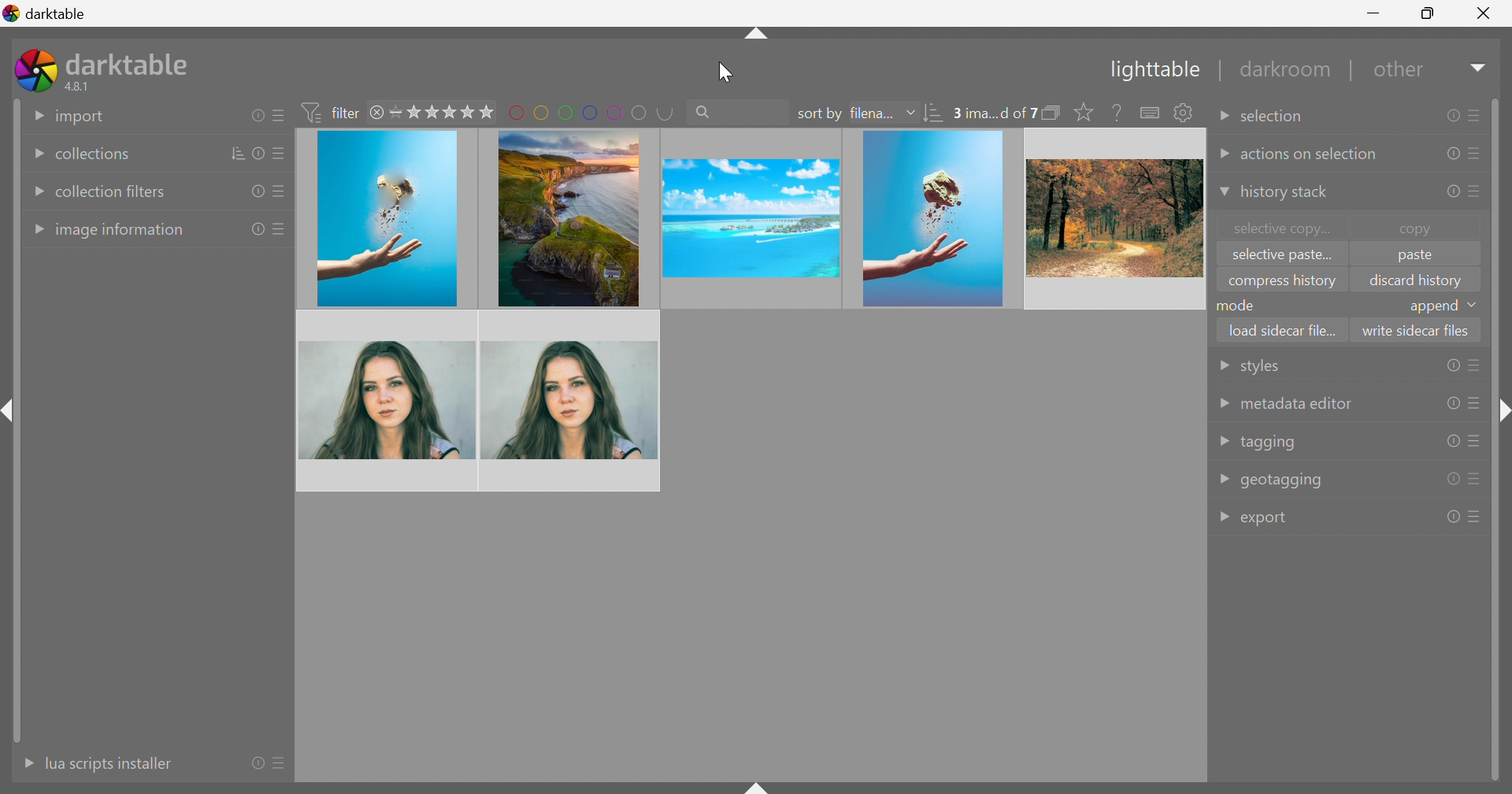 The height and width of the screenshot is (794, 1512). I want to click on presets, so click(278, 116).